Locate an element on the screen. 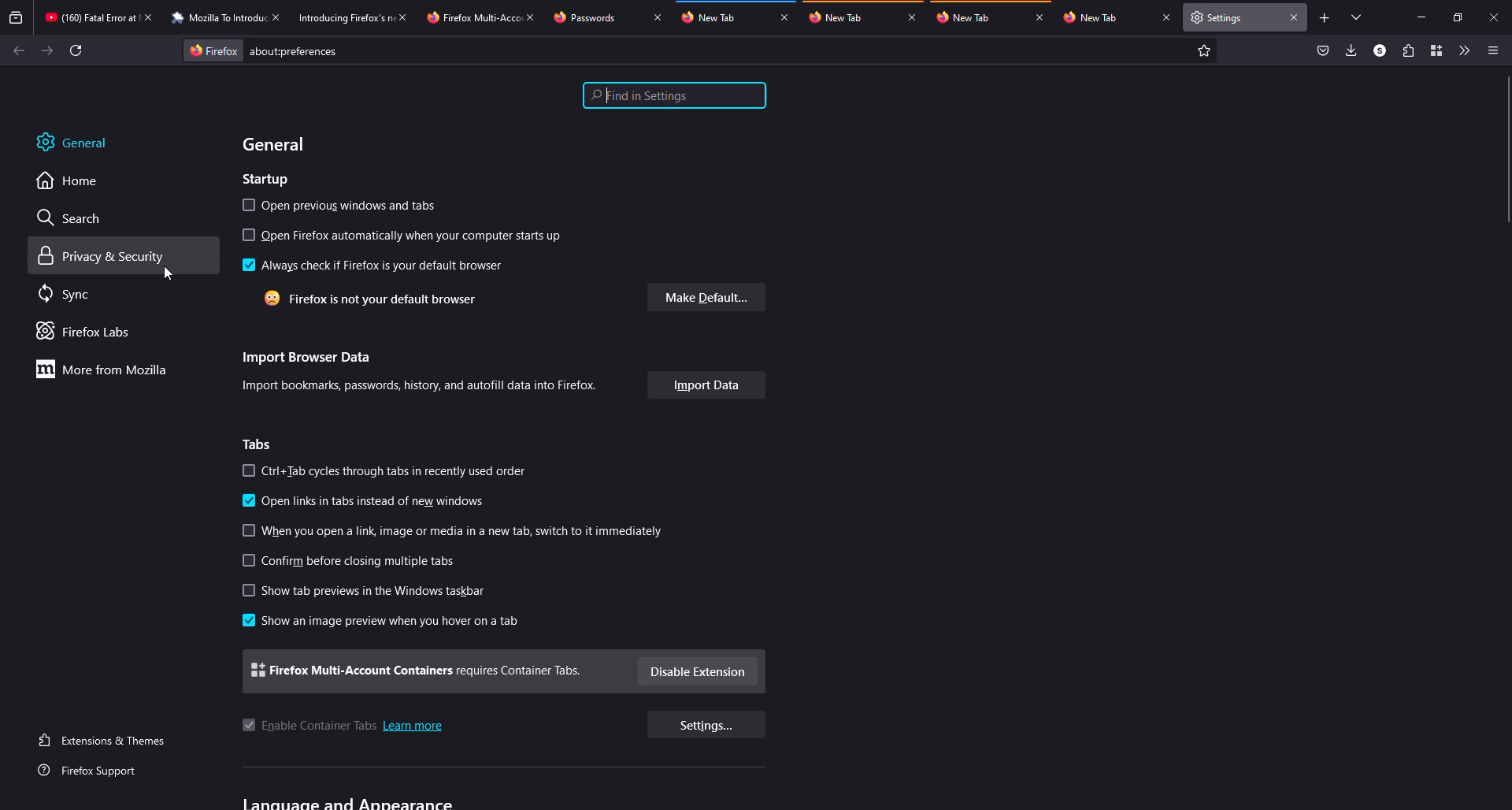 This screenshot has height=810, width=1512. close is located at coordinates (1040, 18).